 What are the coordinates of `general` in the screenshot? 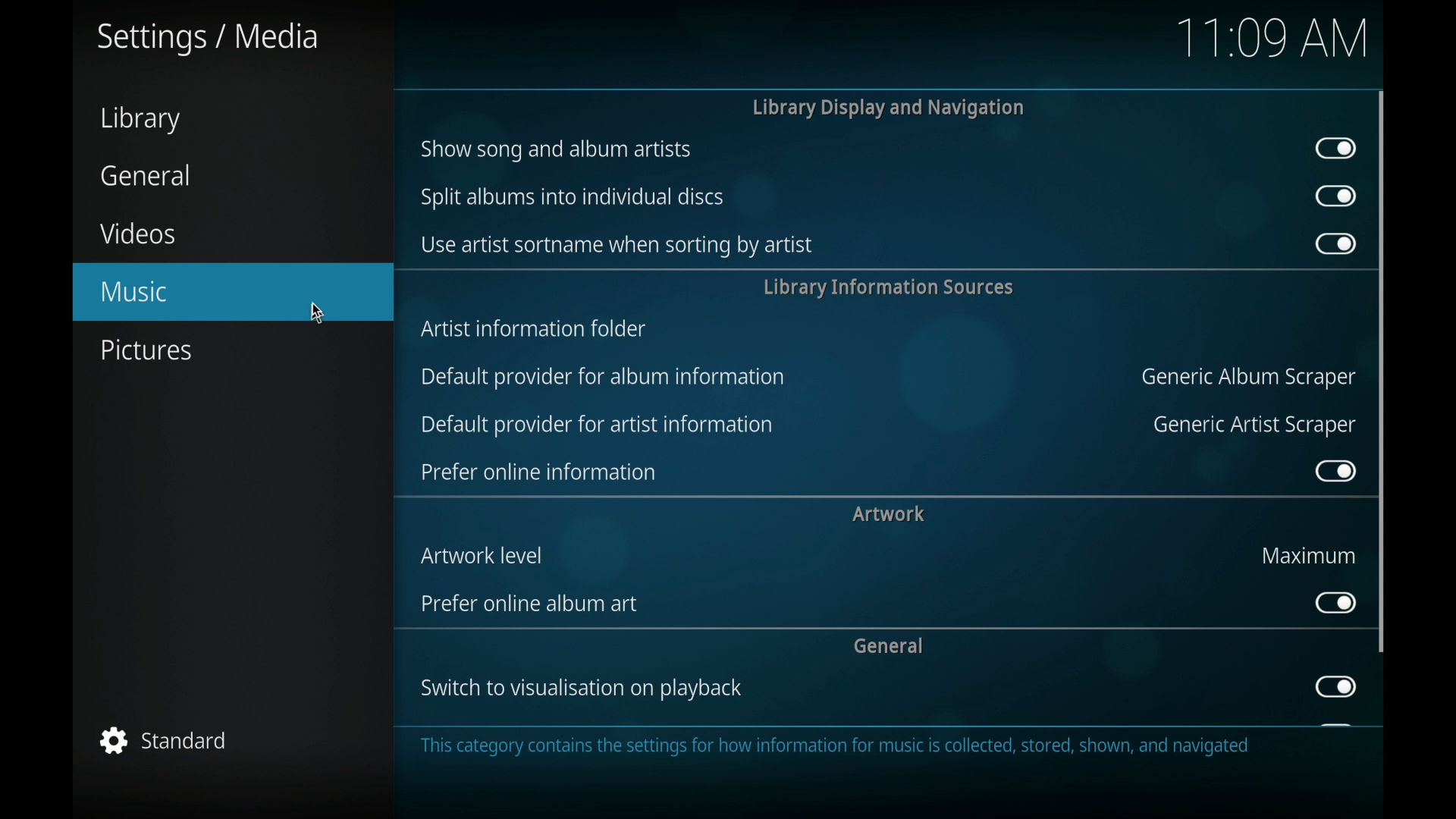 It's located at (145, 174).